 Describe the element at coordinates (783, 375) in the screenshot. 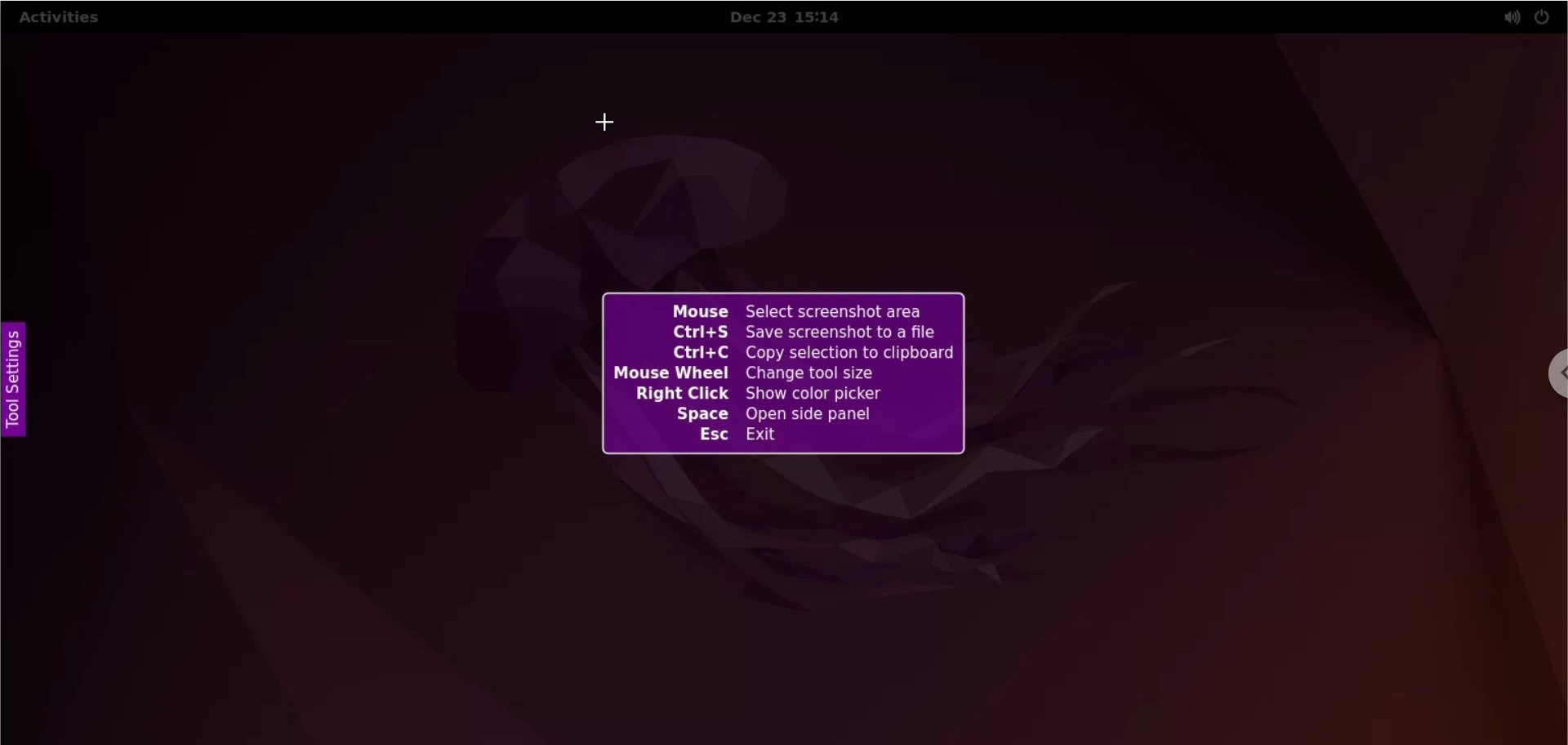

I see `shortcuts` at that location.